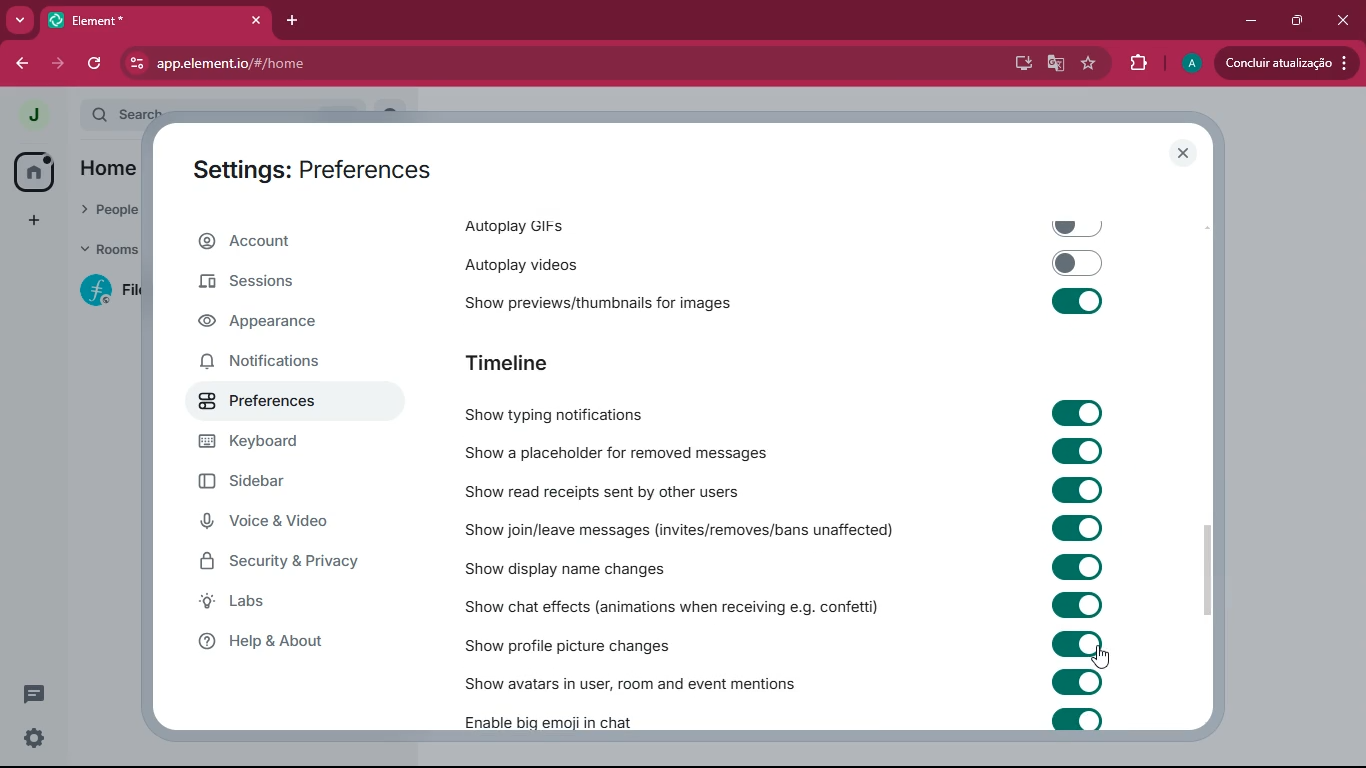 The height and width of the screenshot is (768, 1366). Describe the element at coordinates (272, 287) in the screenshot. I see `sessions` at that location.